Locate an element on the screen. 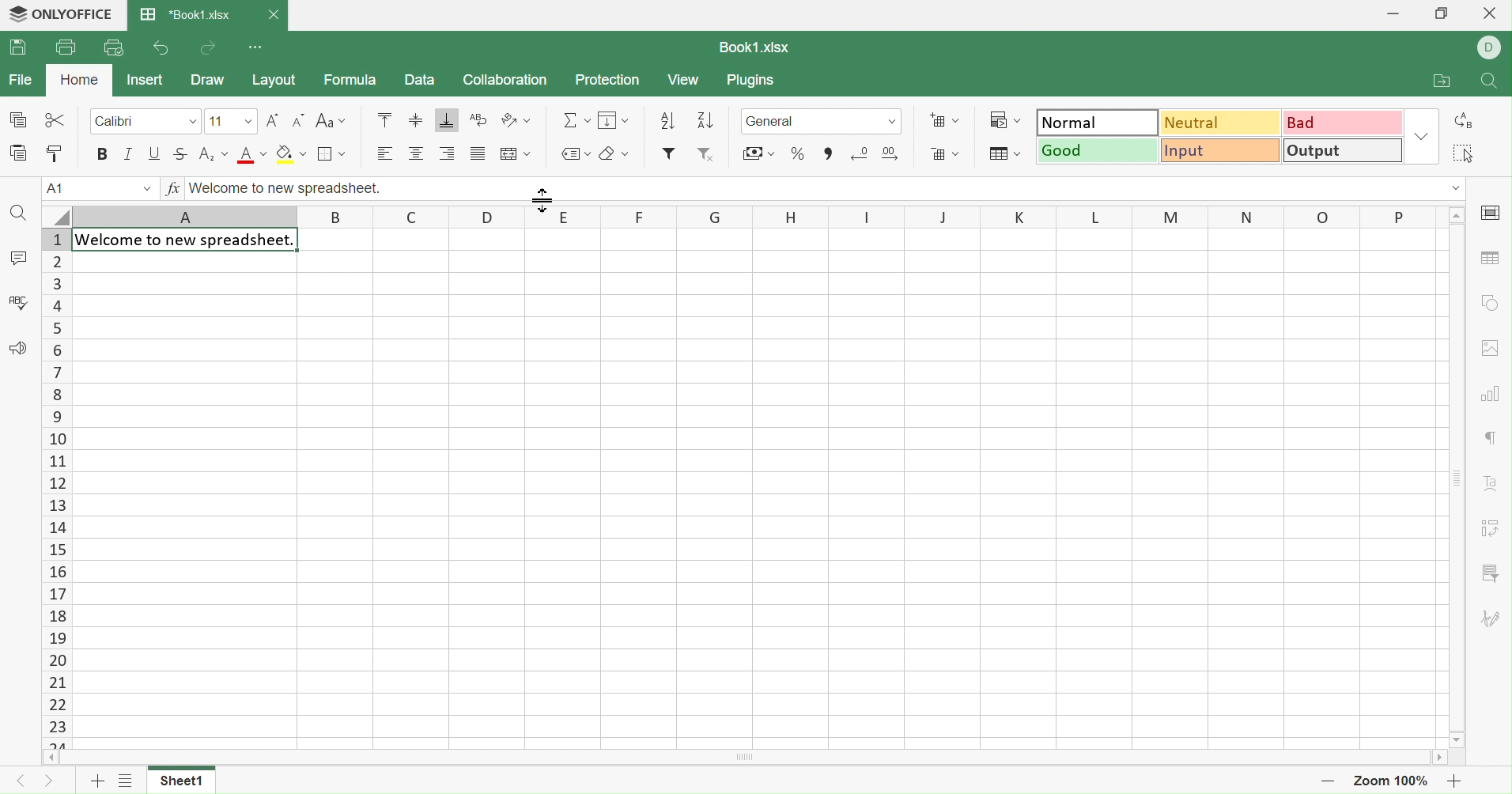 This screenshot has height=794, width=1512. Named ranges is located at coordinates (576, 154).